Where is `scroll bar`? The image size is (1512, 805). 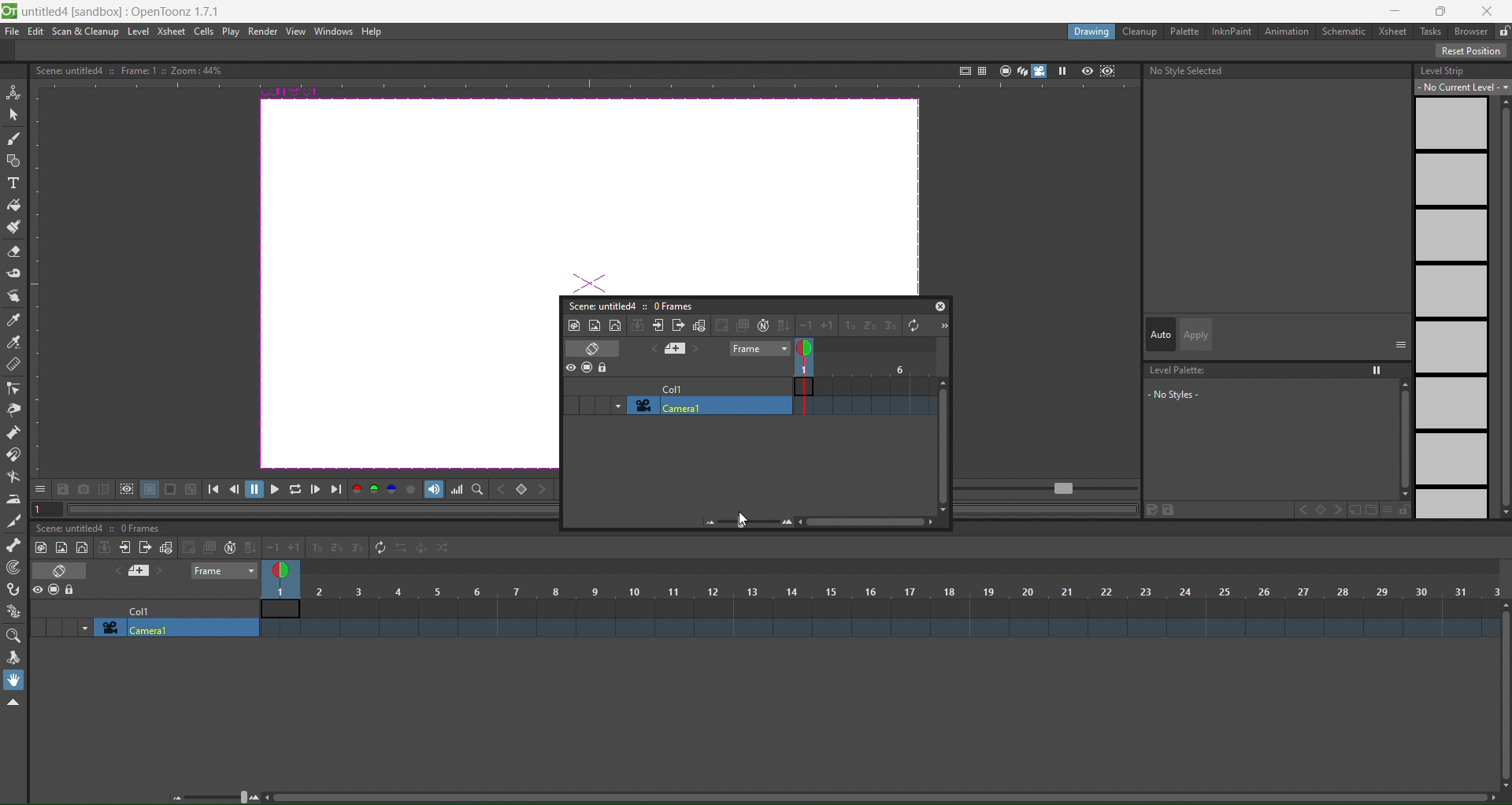 scroll bar is located at coordinates (876, 799).